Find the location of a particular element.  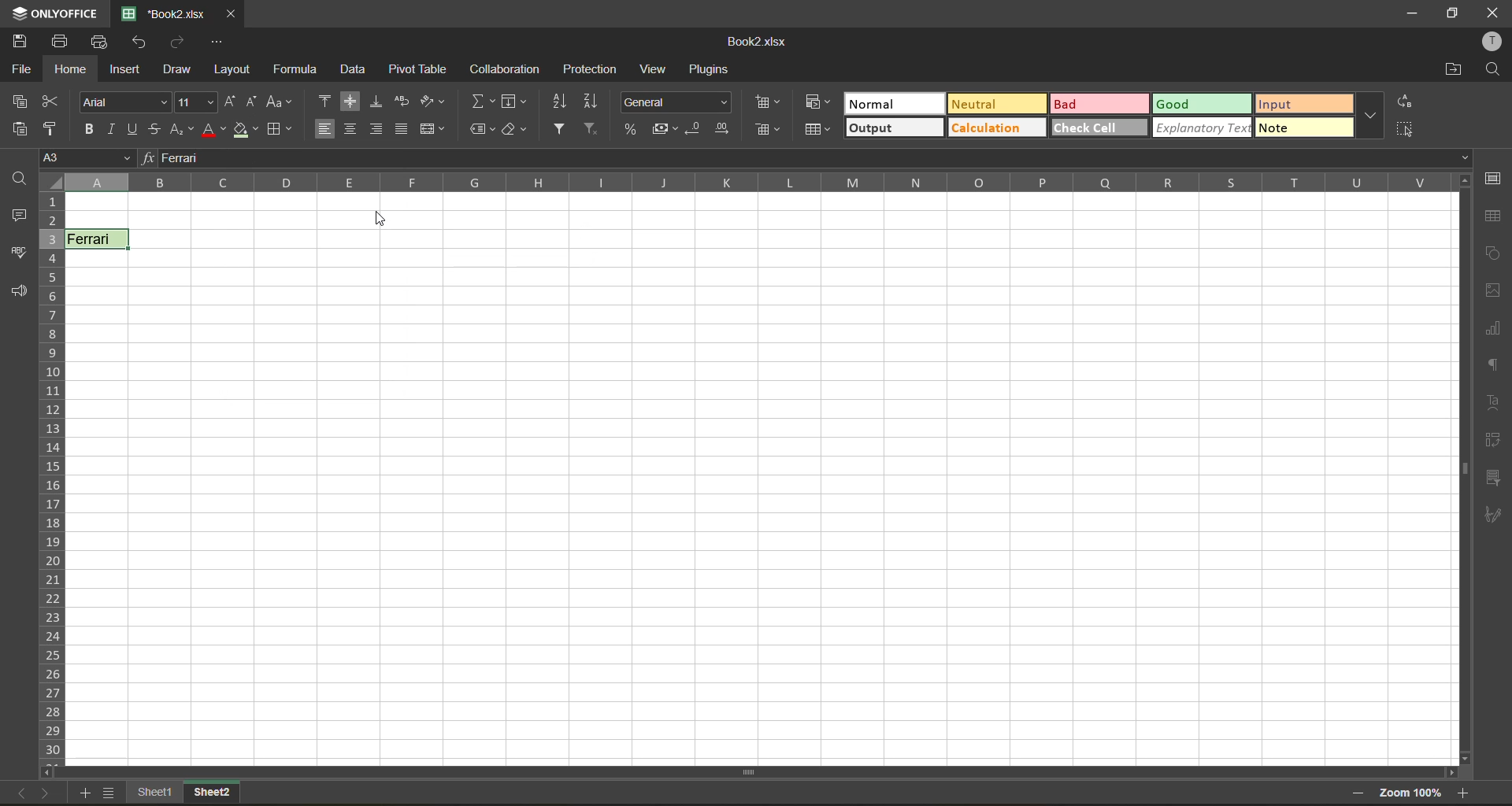

explanatory text is located at coordinates (1201, 130).